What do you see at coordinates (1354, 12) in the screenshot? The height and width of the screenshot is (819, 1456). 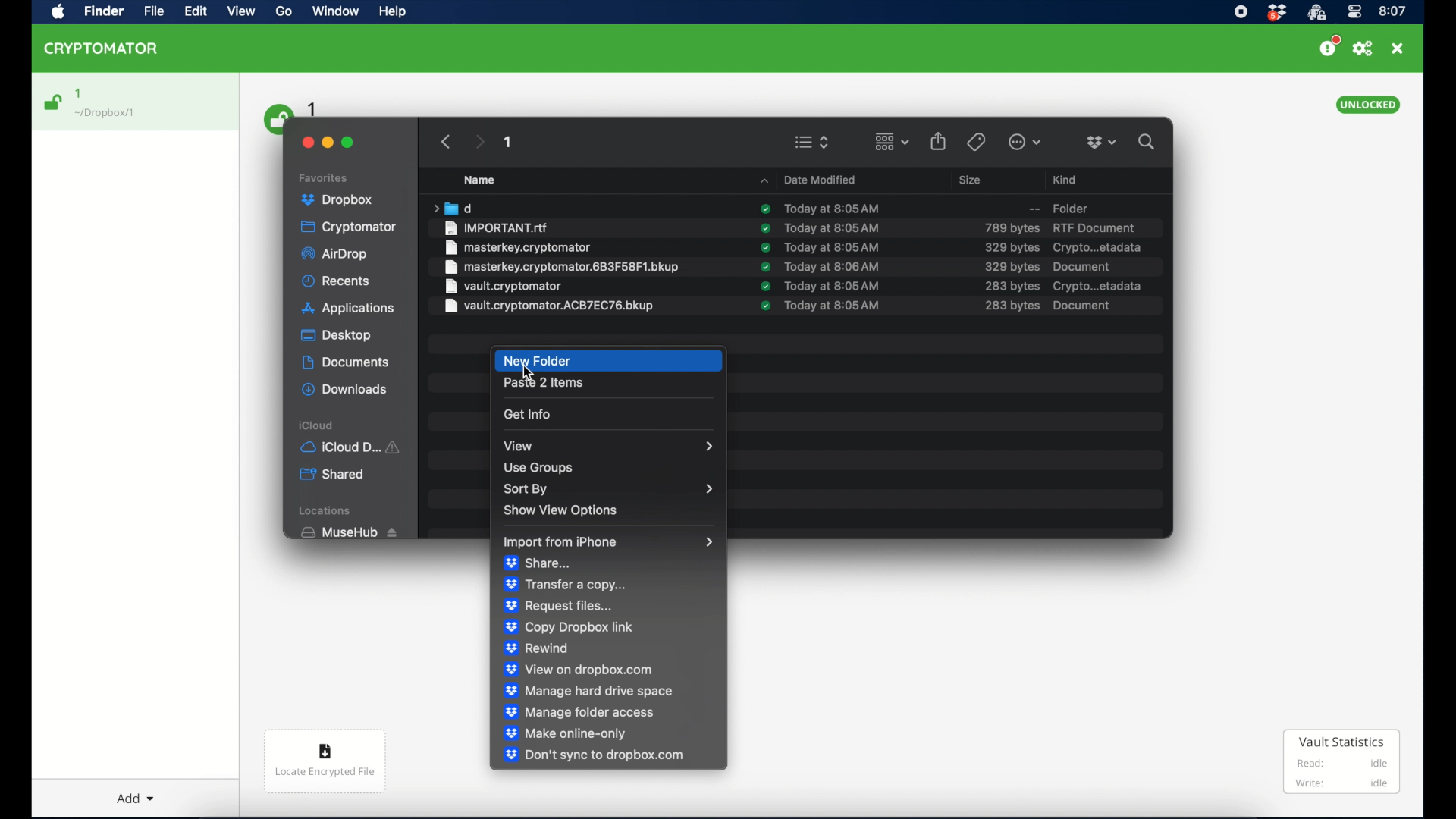 I see `control center` at bounding box center [1354, 12].